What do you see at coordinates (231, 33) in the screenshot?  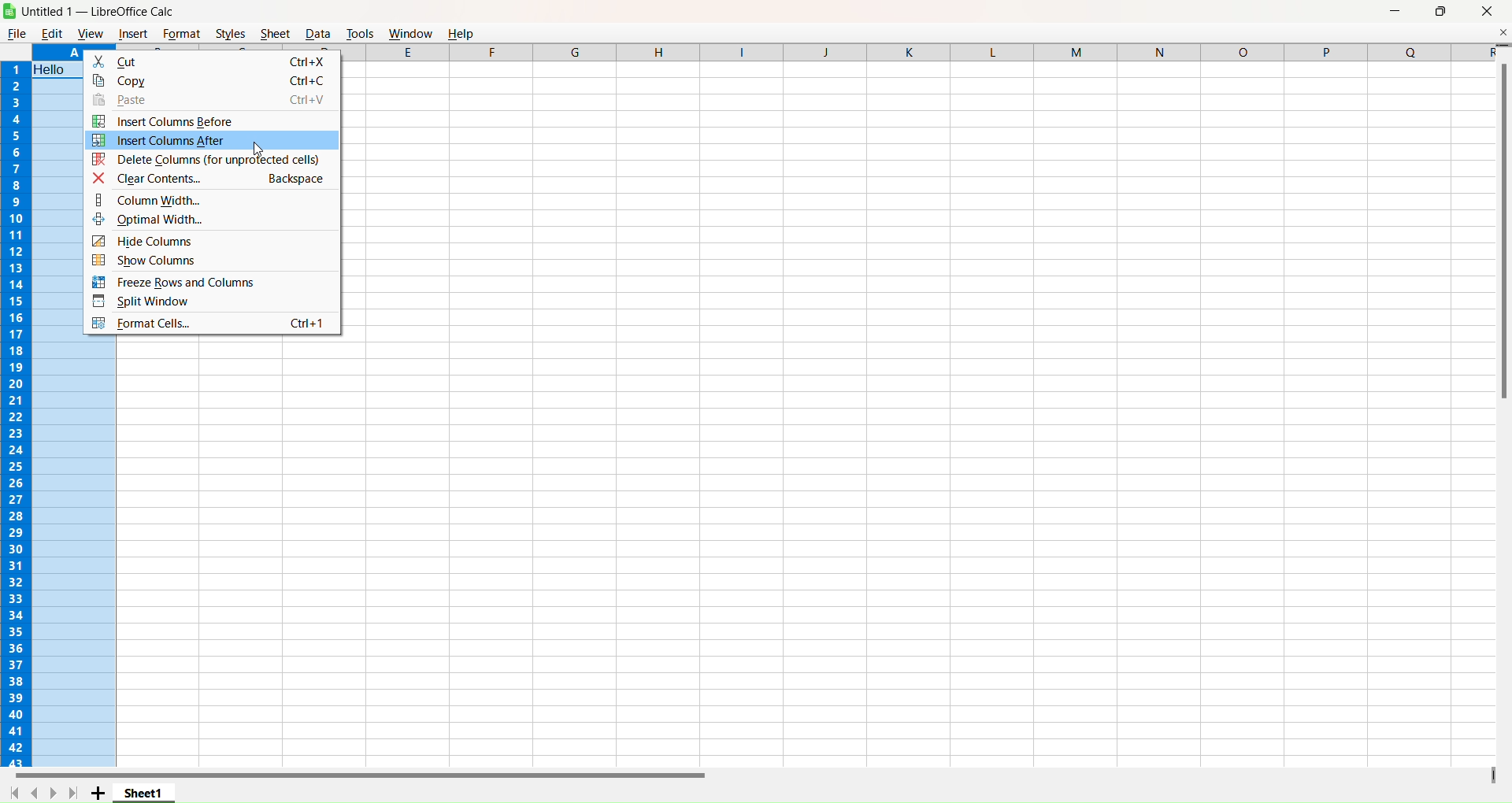 I see `Styles` at bounding box center [231, 33].